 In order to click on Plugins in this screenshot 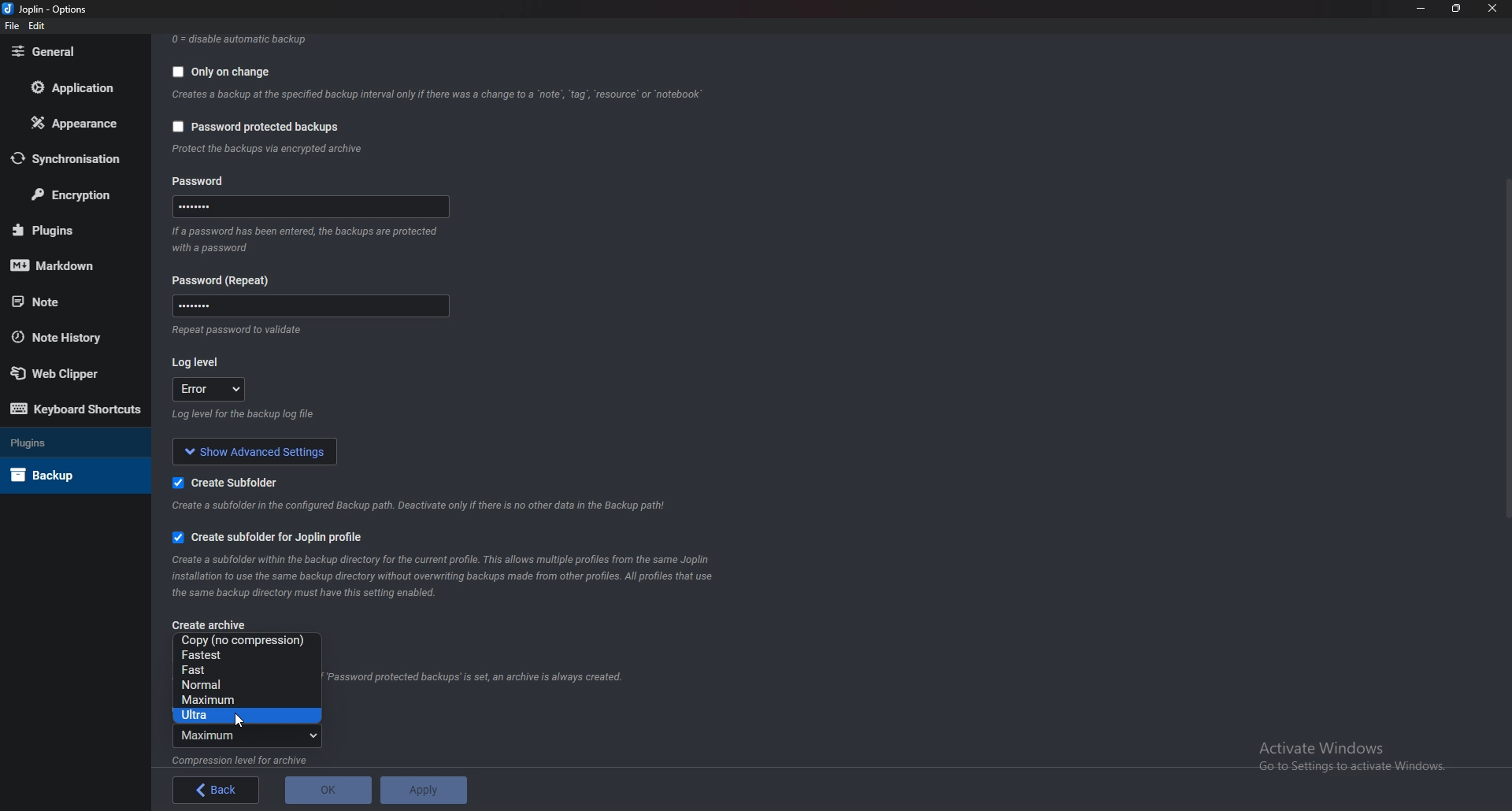, I will do `click(63, 441)`.